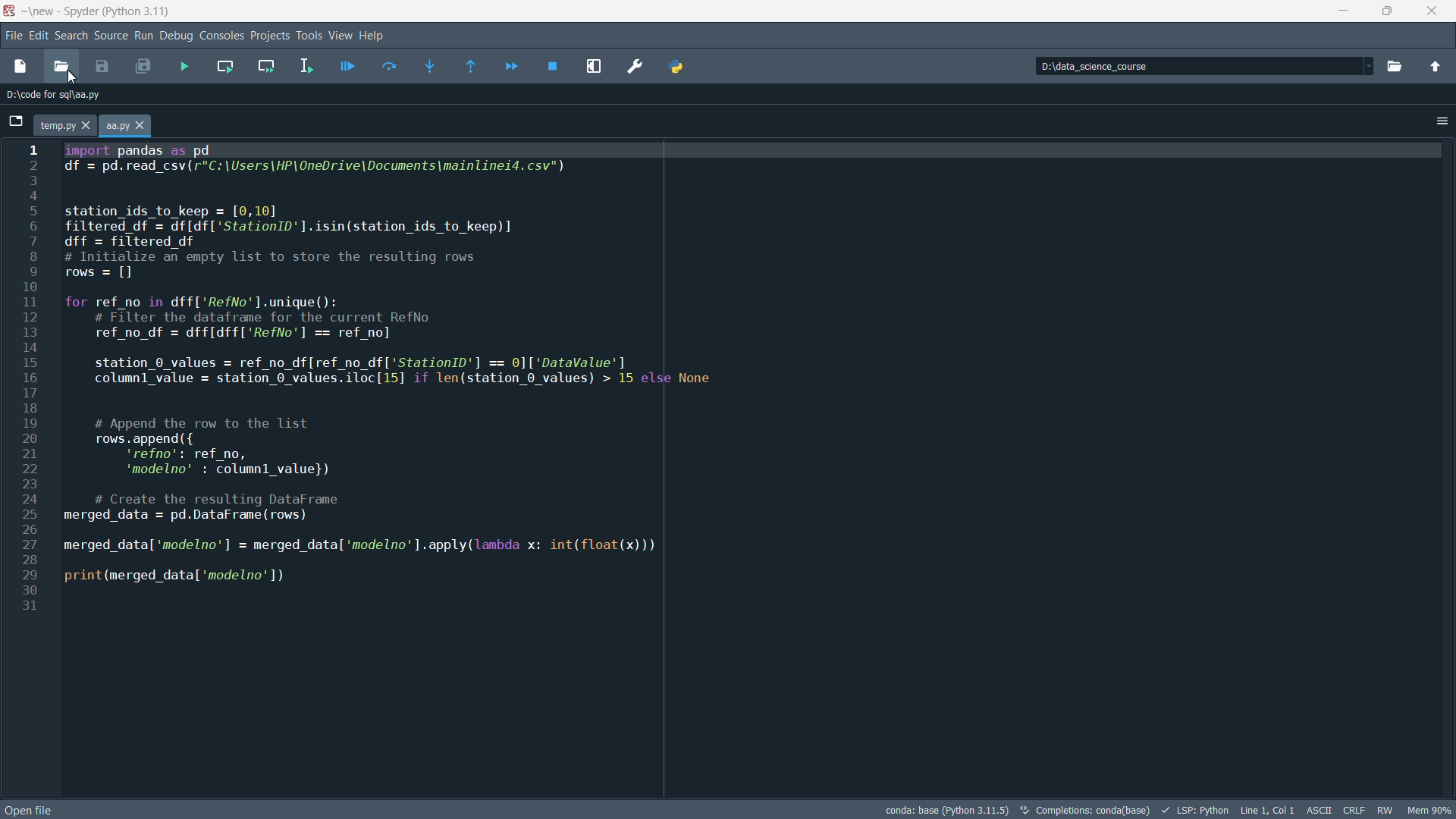 Image resolution: width=1456 pixels, height=819 pixels. Describe the element at coordinates (1367, 67) in the screenshot. I see `Dropdown` at that location.